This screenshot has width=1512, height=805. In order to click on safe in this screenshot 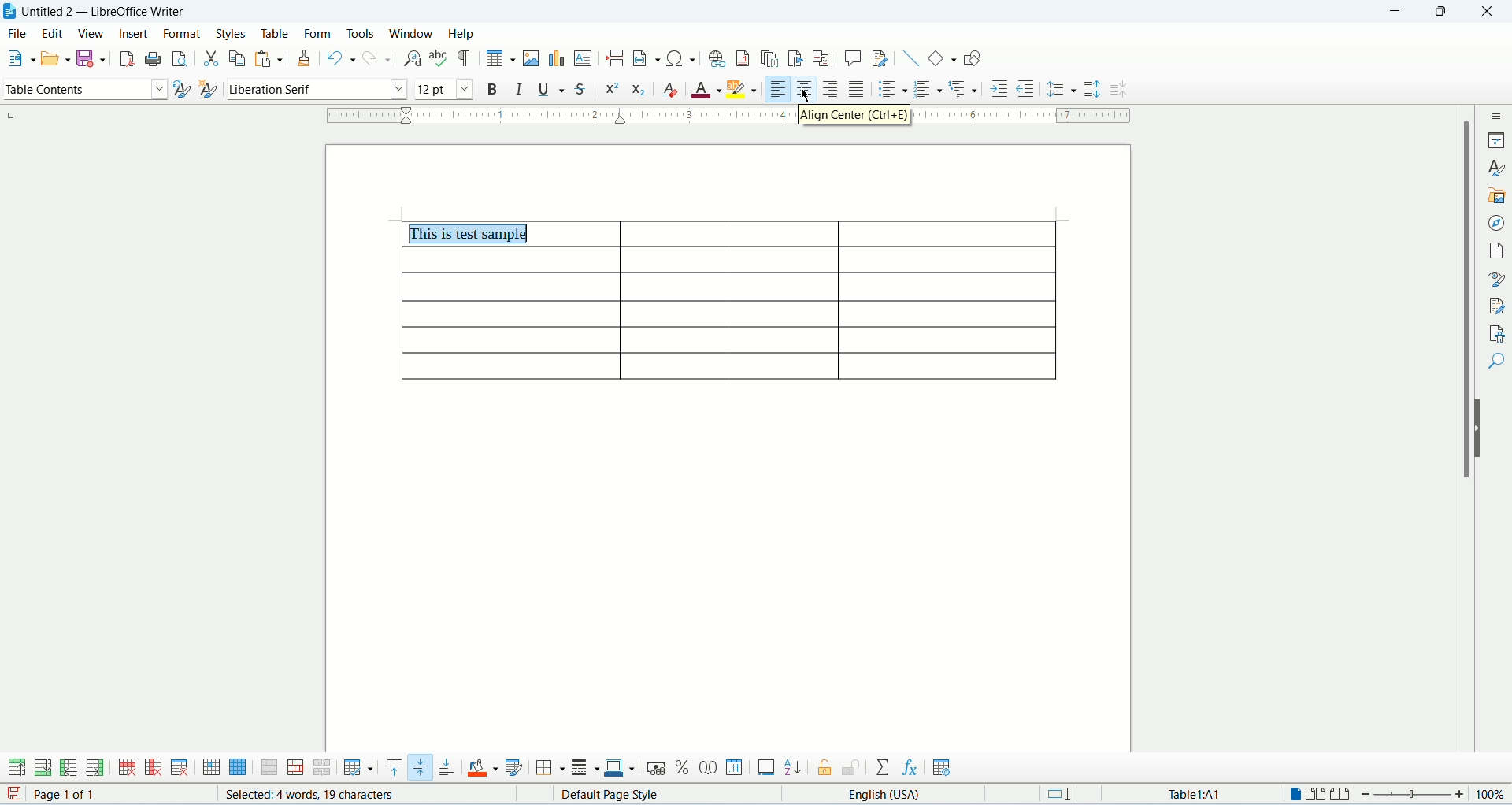, I will do `click(91, 58)`.